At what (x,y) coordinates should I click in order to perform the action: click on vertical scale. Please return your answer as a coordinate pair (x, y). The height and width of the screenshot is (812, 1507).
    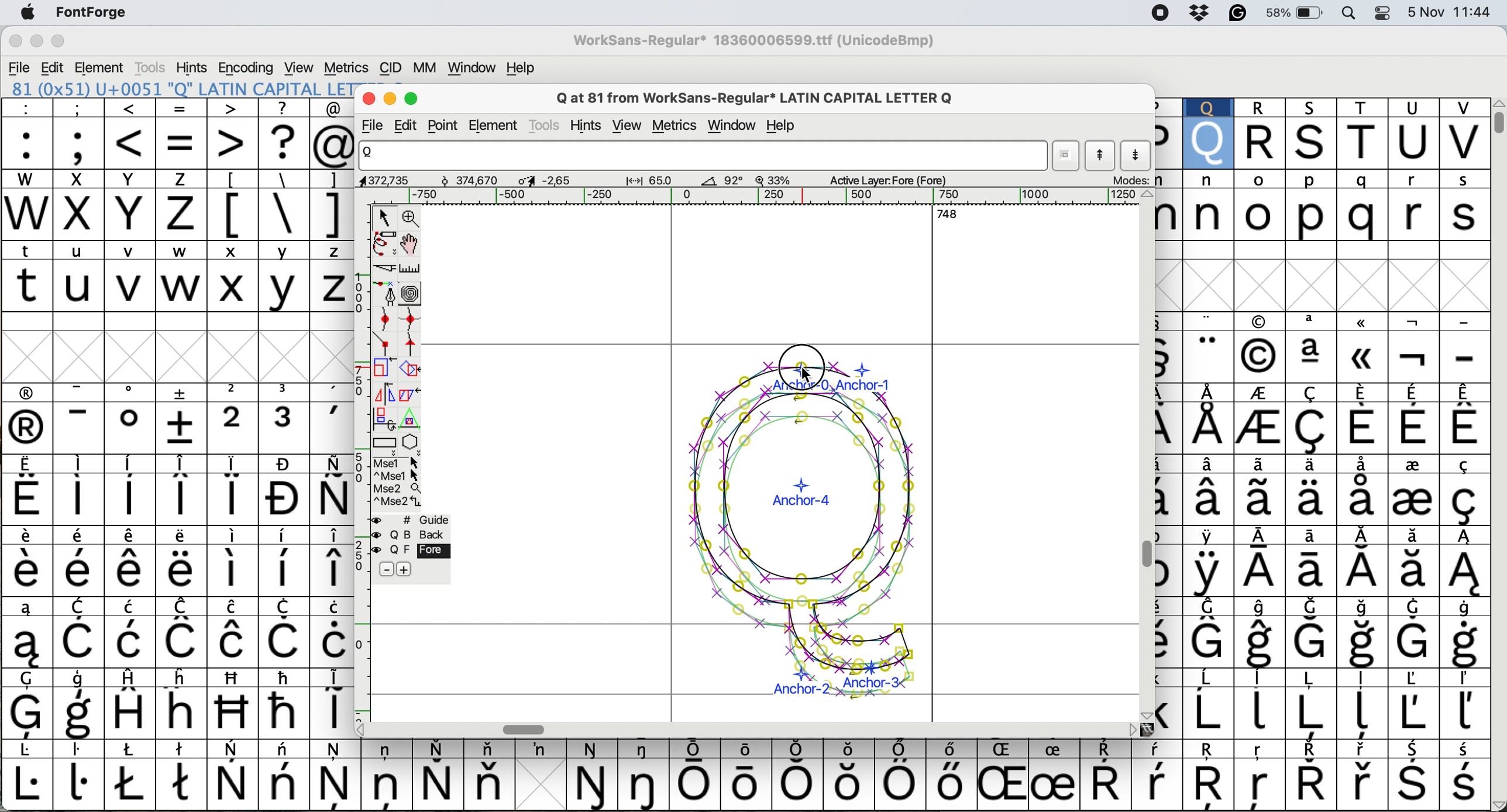
    Looking at the image, I should click on (356, 457).